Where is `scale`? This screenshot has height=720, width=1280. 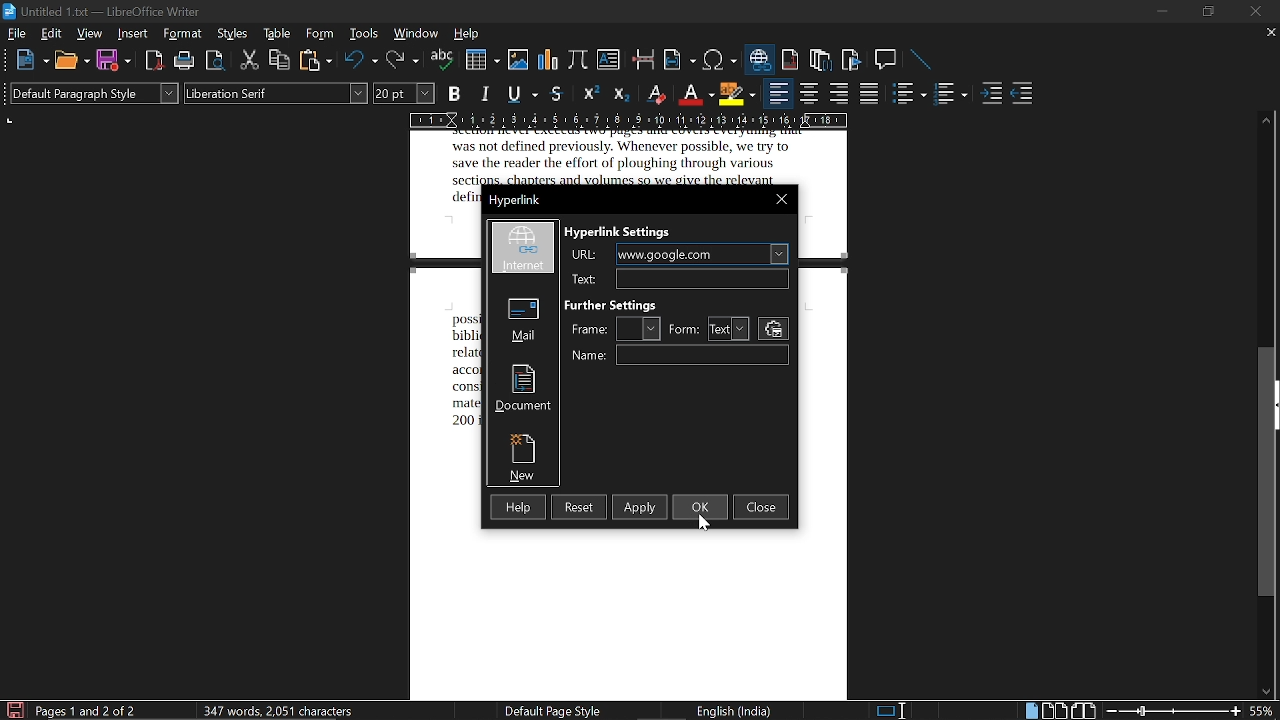
scale is located at coordinates (629, 119).